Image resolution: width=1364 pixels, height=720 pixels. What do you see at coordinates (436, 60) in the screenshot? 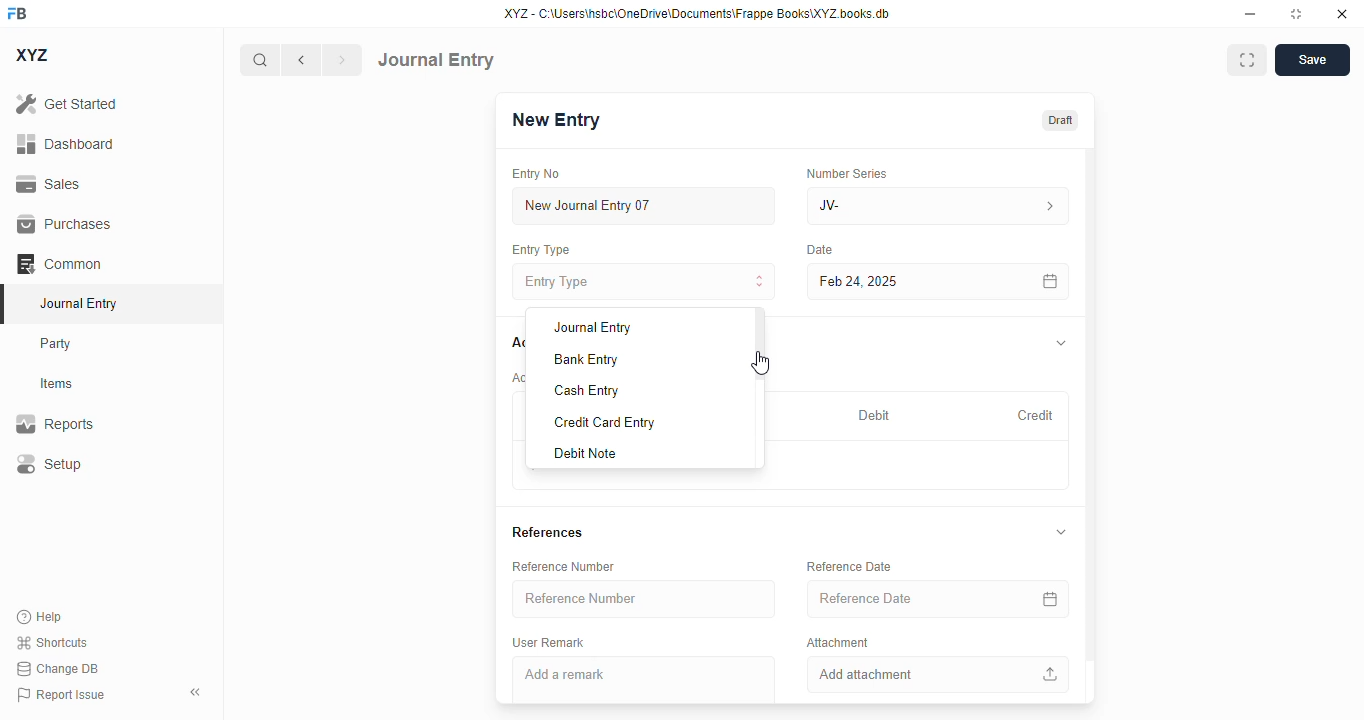
I see `journal entry` at bounding box center [436, 60].